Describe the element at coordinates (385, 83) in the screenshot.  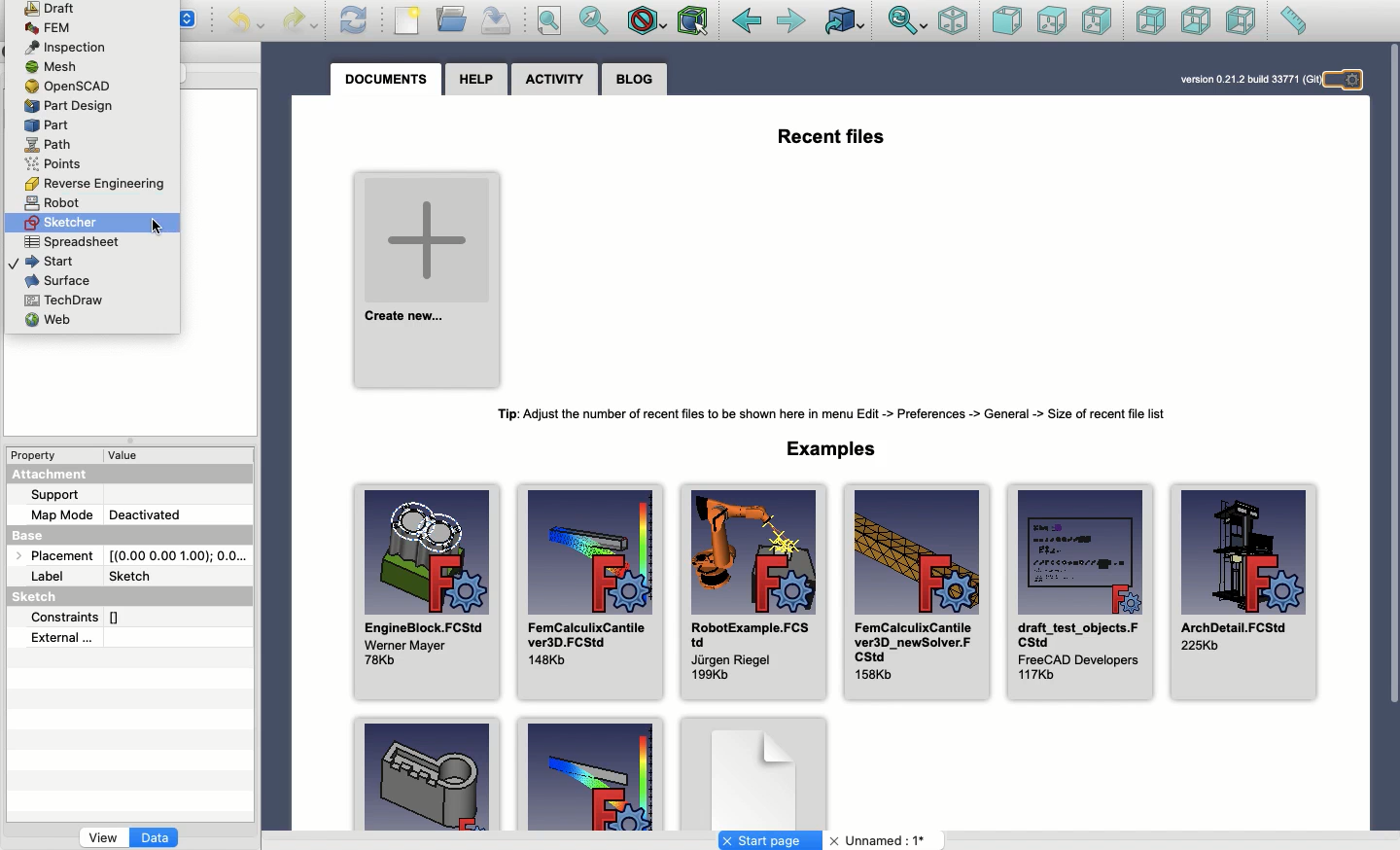
I see `Documents` at that location.